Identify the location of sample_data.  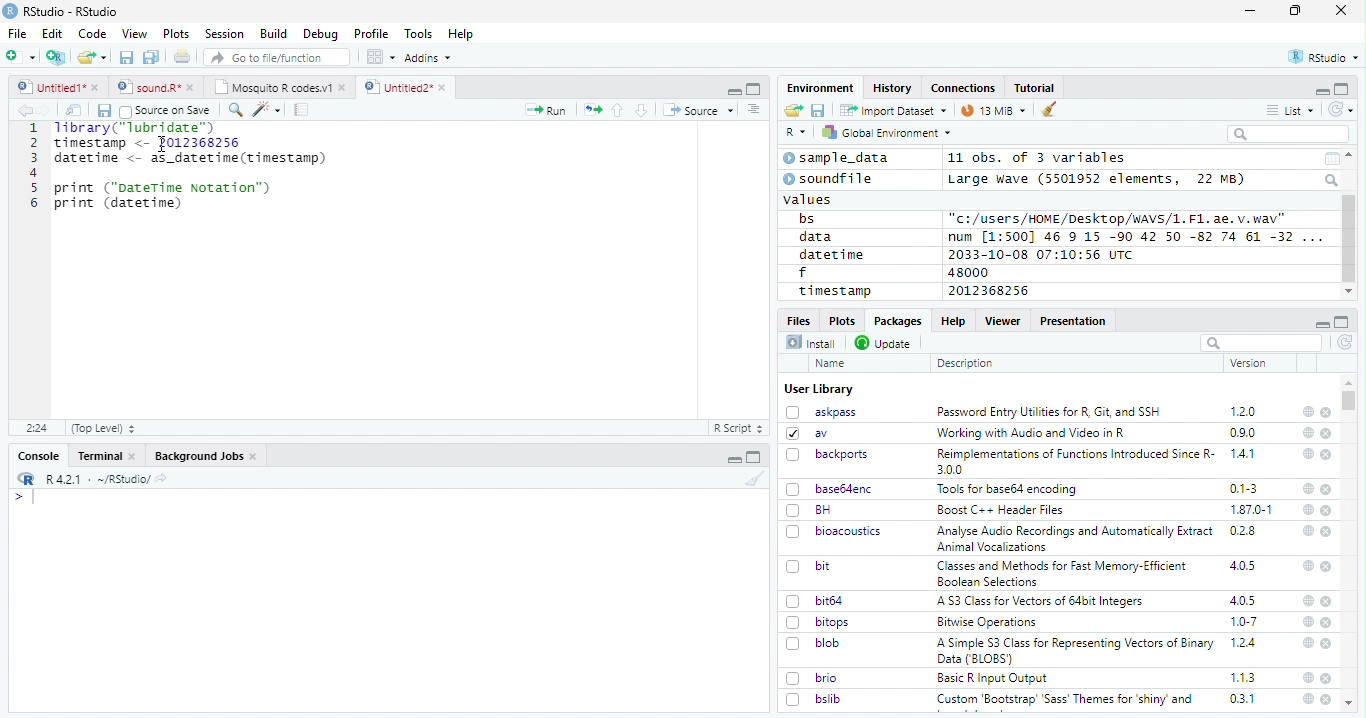
(839, 158).